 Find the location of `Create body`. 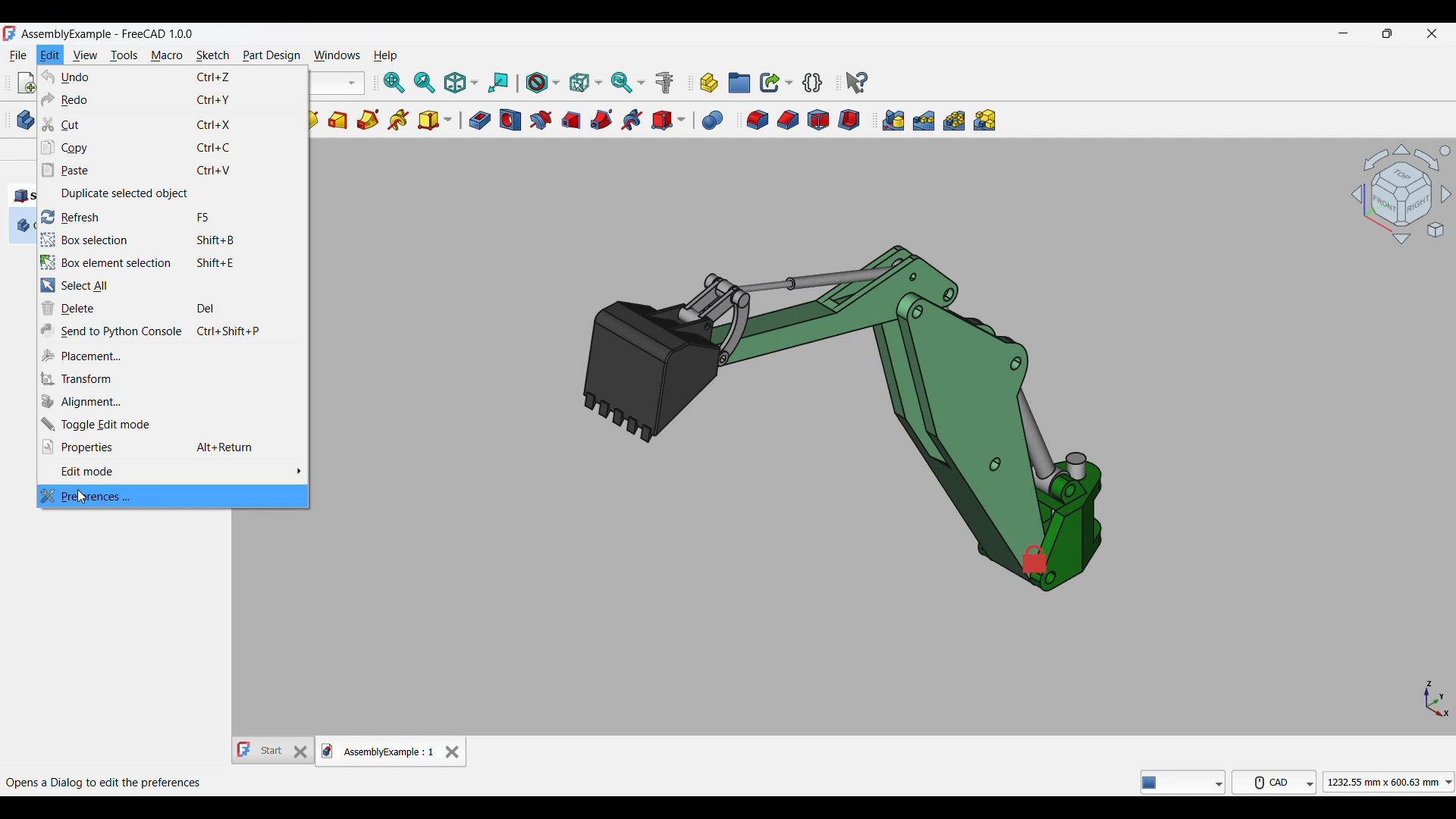

Create body is located at coordinates (26, 120).